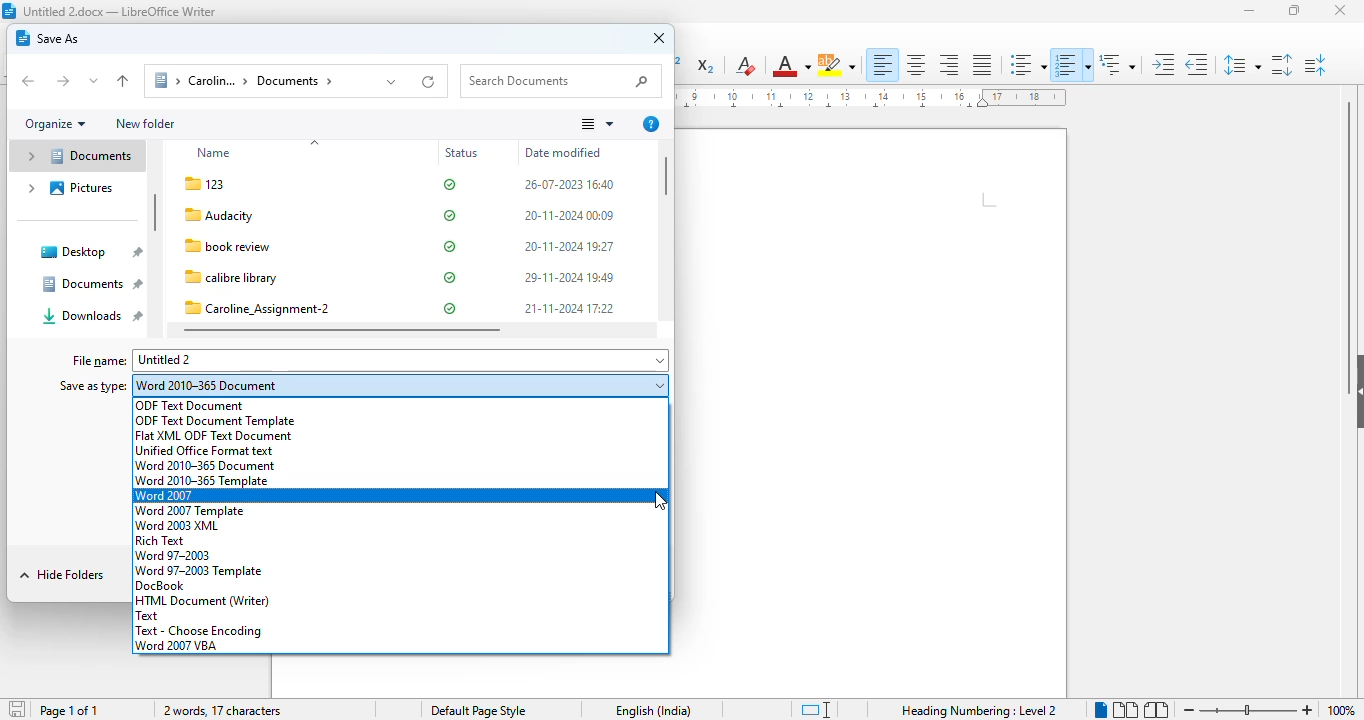  I want to click on save, so click(14, 709).